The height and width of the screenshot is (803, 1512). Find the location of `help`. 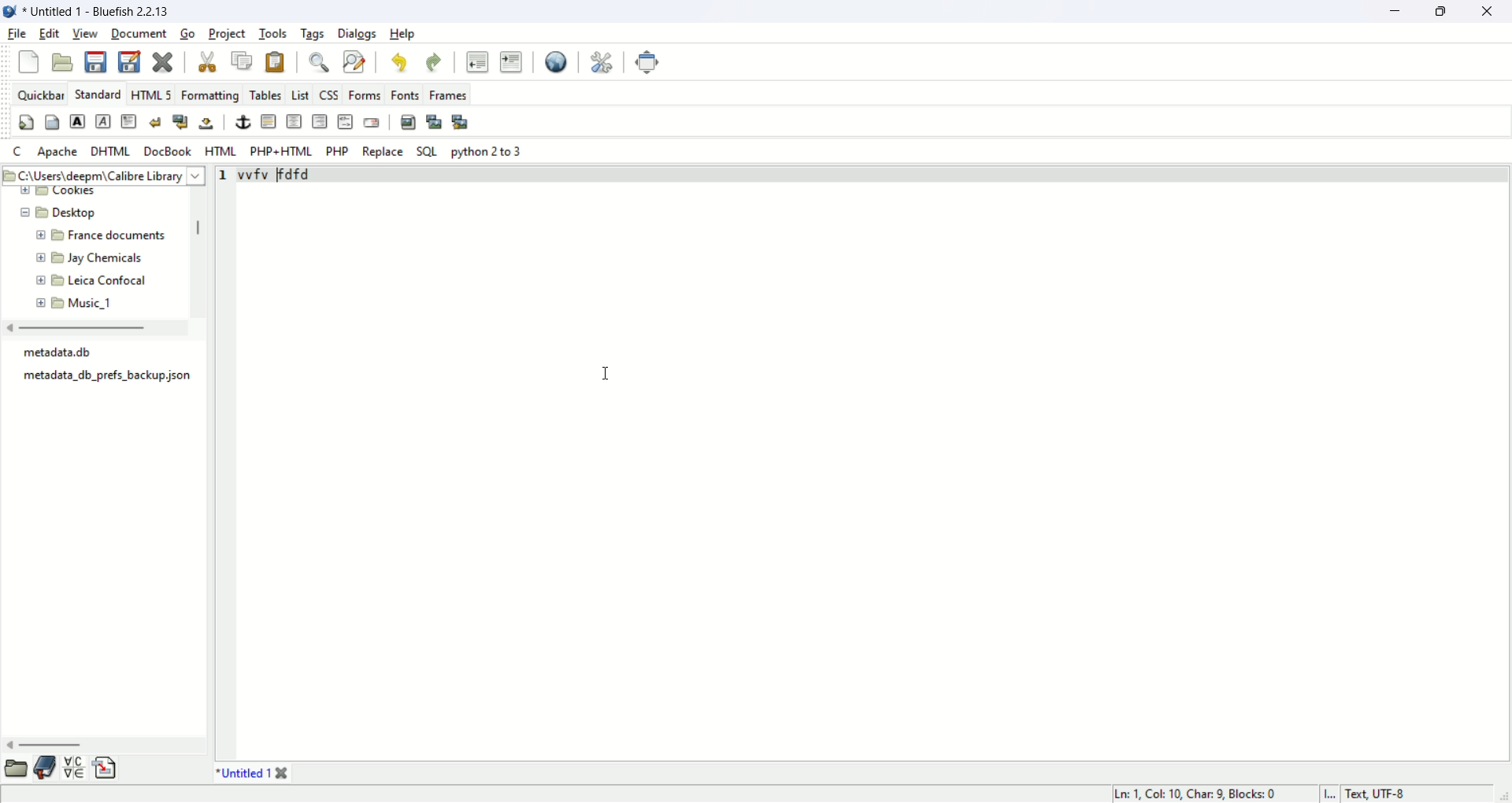

help is located at coordinates (405, 35).